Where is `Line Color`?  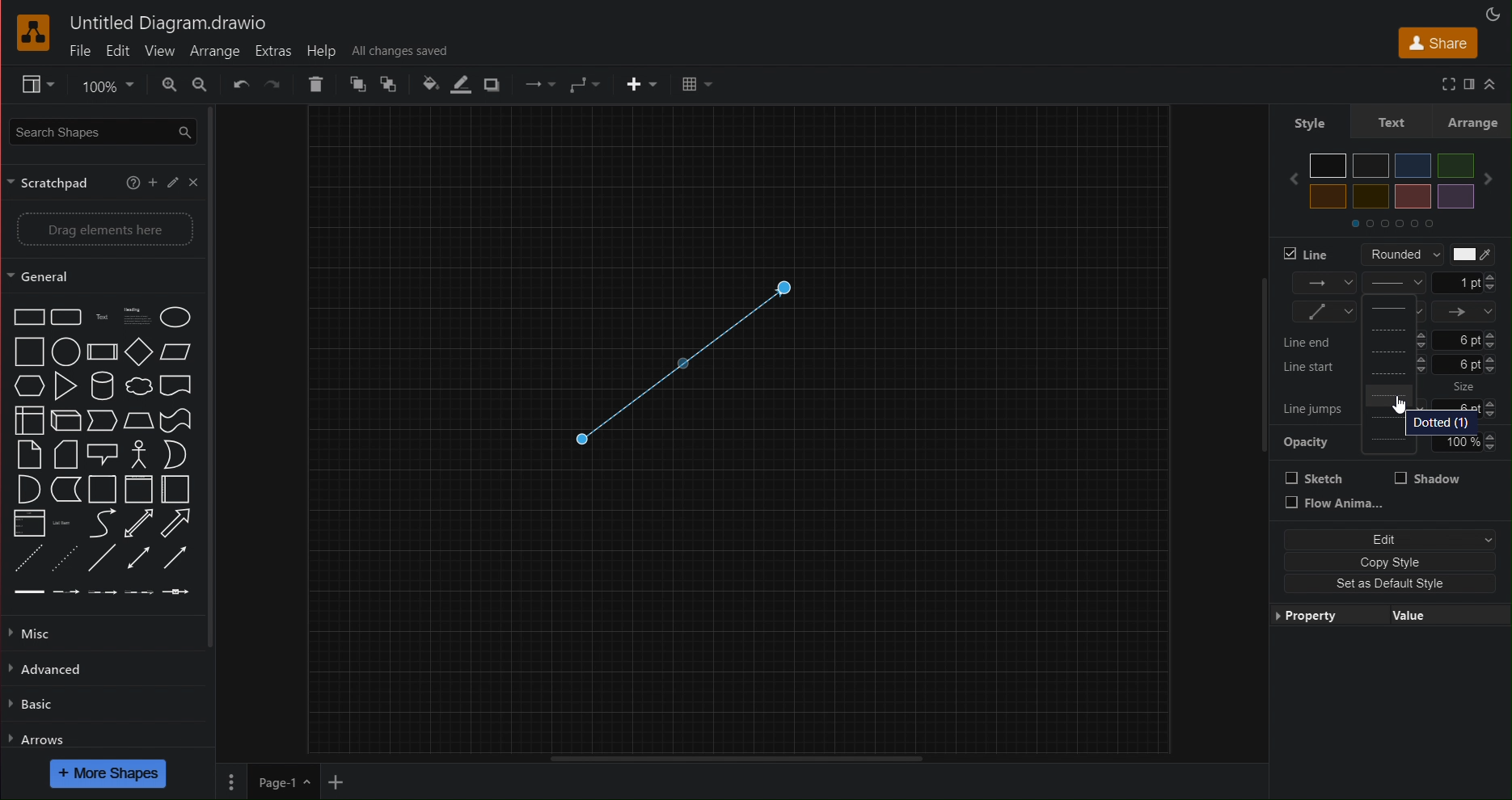 Line Color is located at coordinates (1471, 255).